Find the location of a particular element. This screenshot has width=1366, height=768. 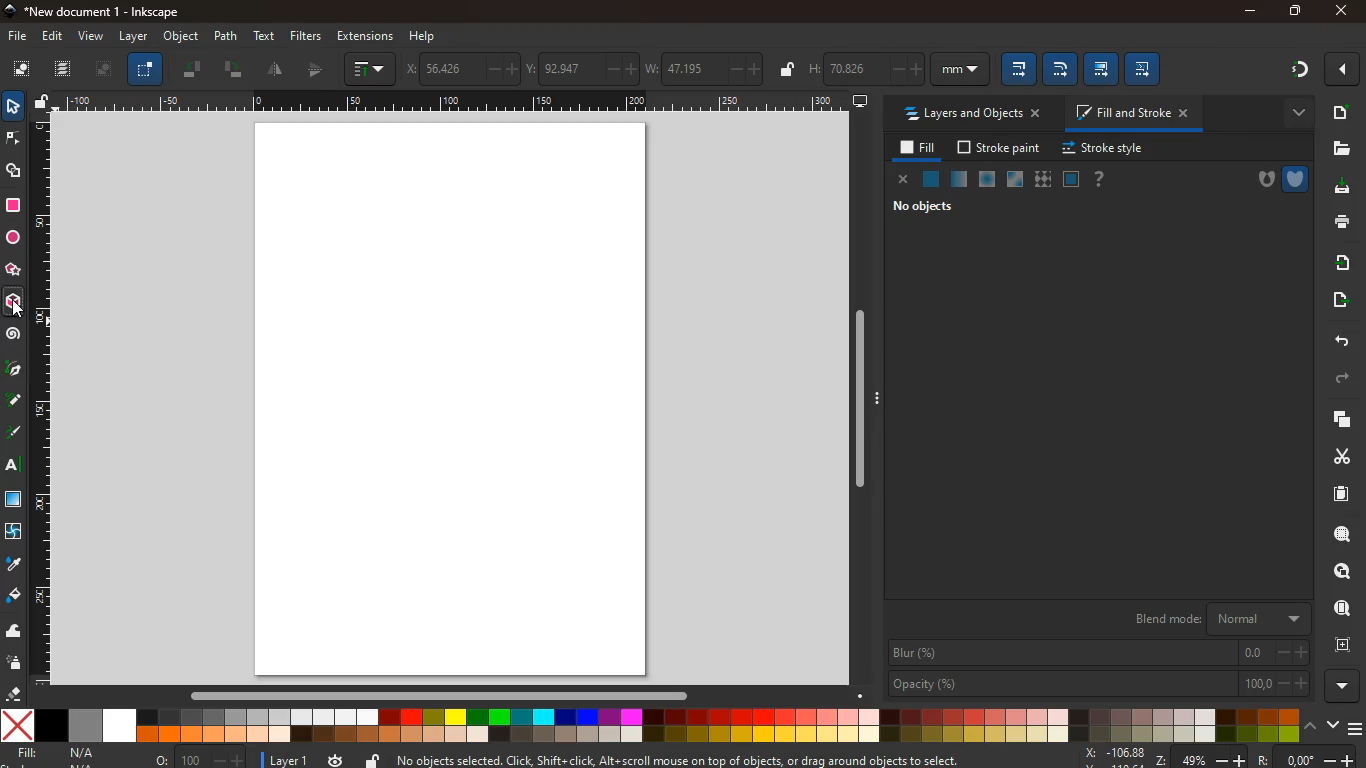

Scrollbar is located at coordinates (444, 694).